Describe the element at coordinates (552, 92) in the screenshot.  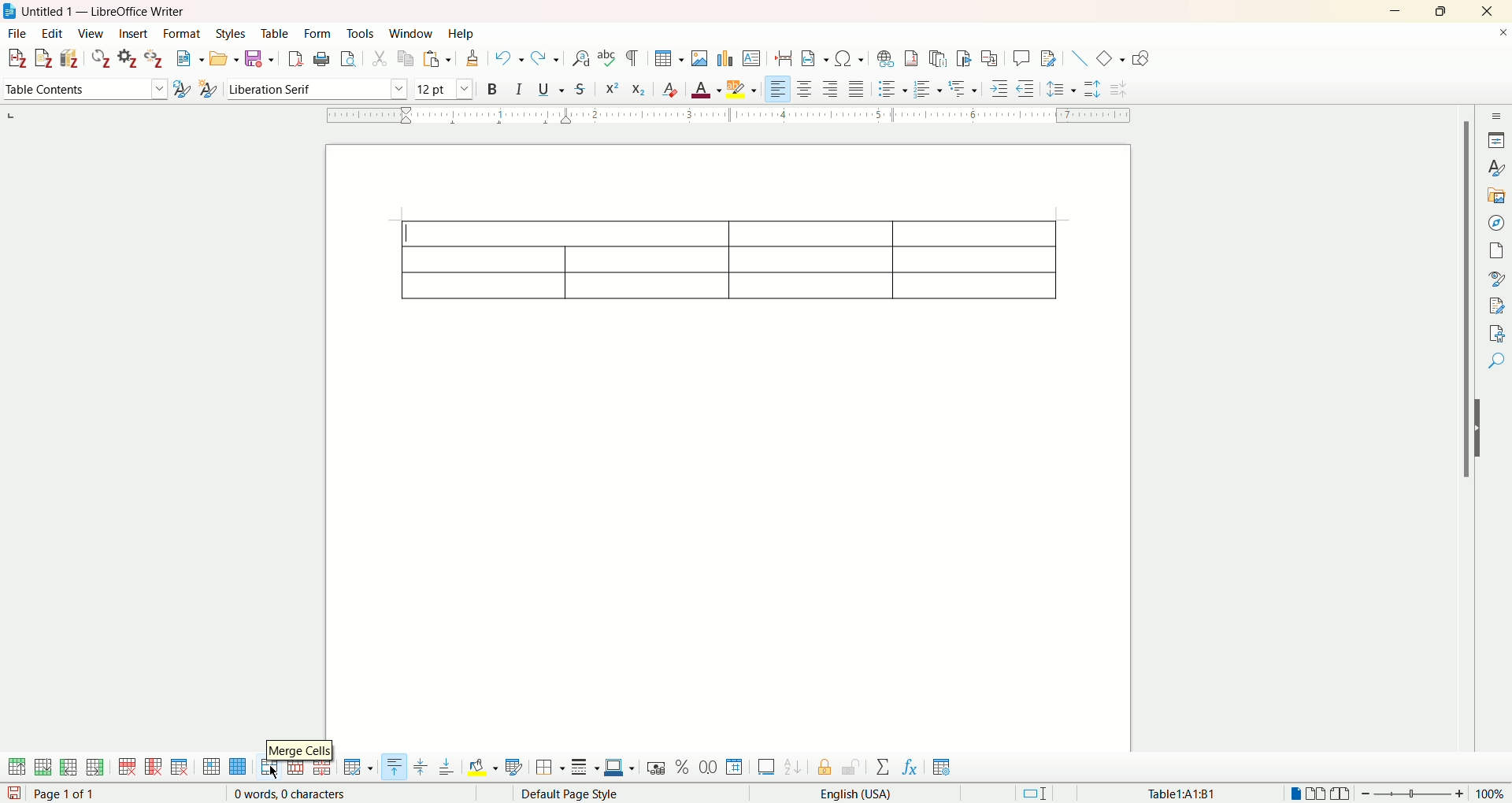
I see `underline` at that location.